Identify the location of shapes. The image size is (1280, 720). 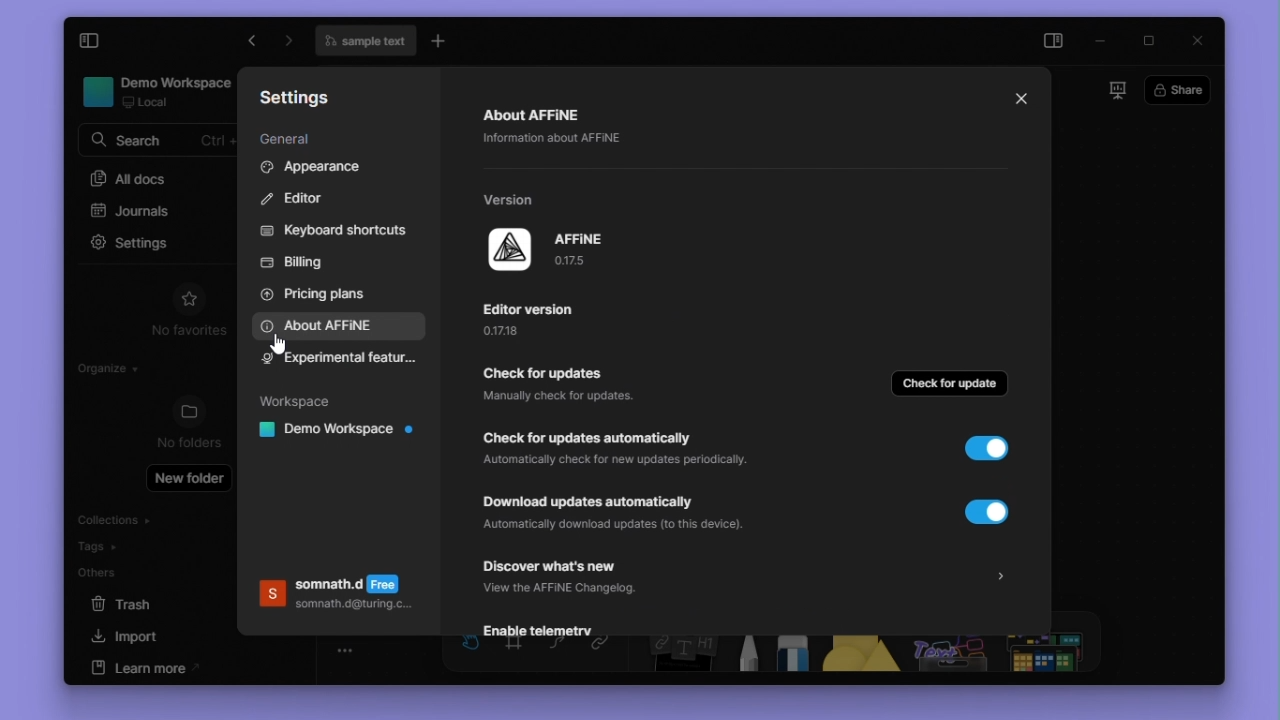
(862, 653).